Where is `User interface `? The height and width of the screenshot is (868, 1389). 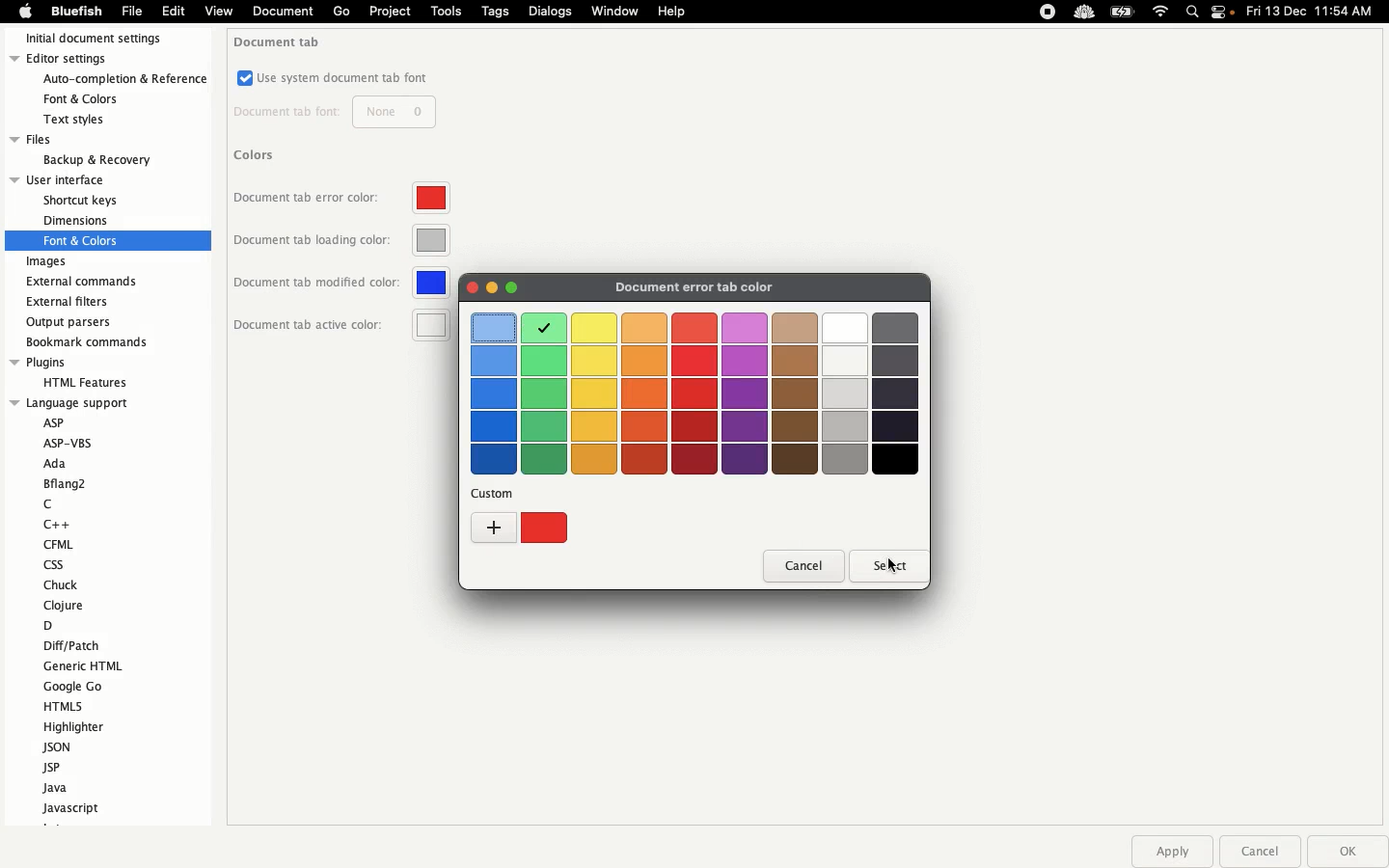 User interface  is located at coordinates (75, 179).